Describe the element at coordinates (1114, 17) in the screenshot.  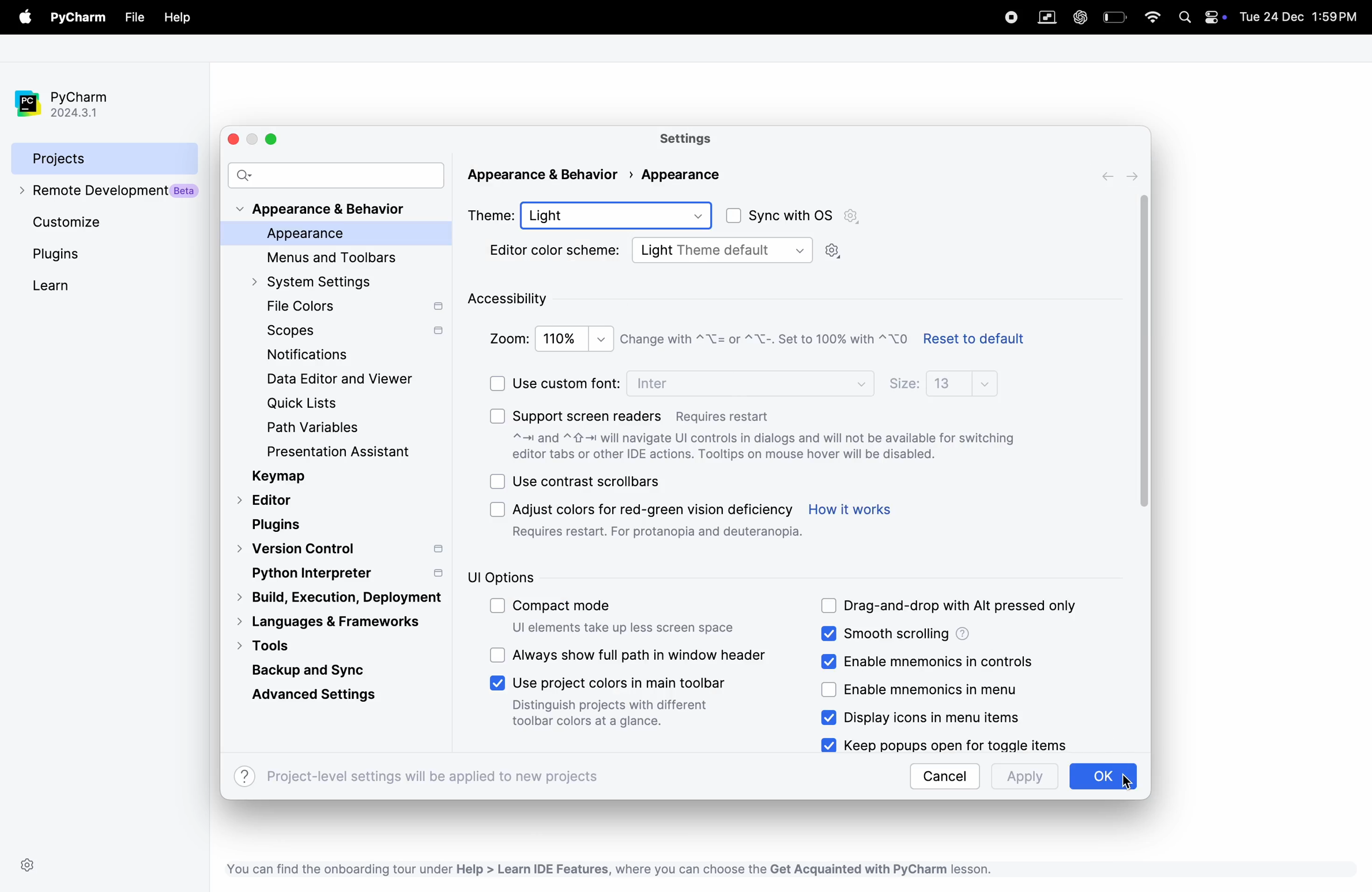
I see `battery` at that location.